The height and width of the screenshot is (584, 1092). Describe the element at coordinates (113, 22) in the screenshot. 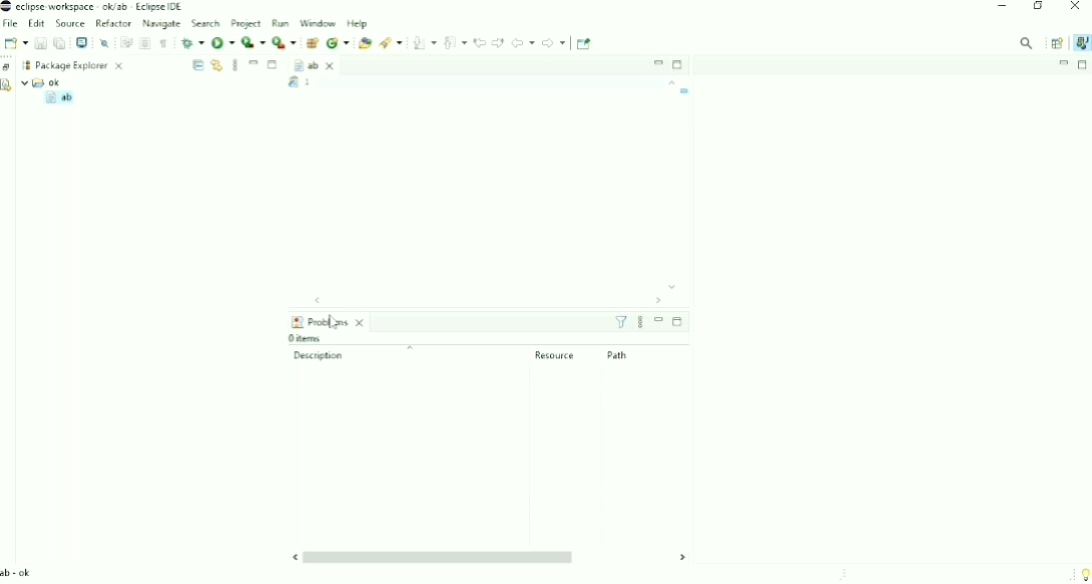

I see `Refactor` at that location.